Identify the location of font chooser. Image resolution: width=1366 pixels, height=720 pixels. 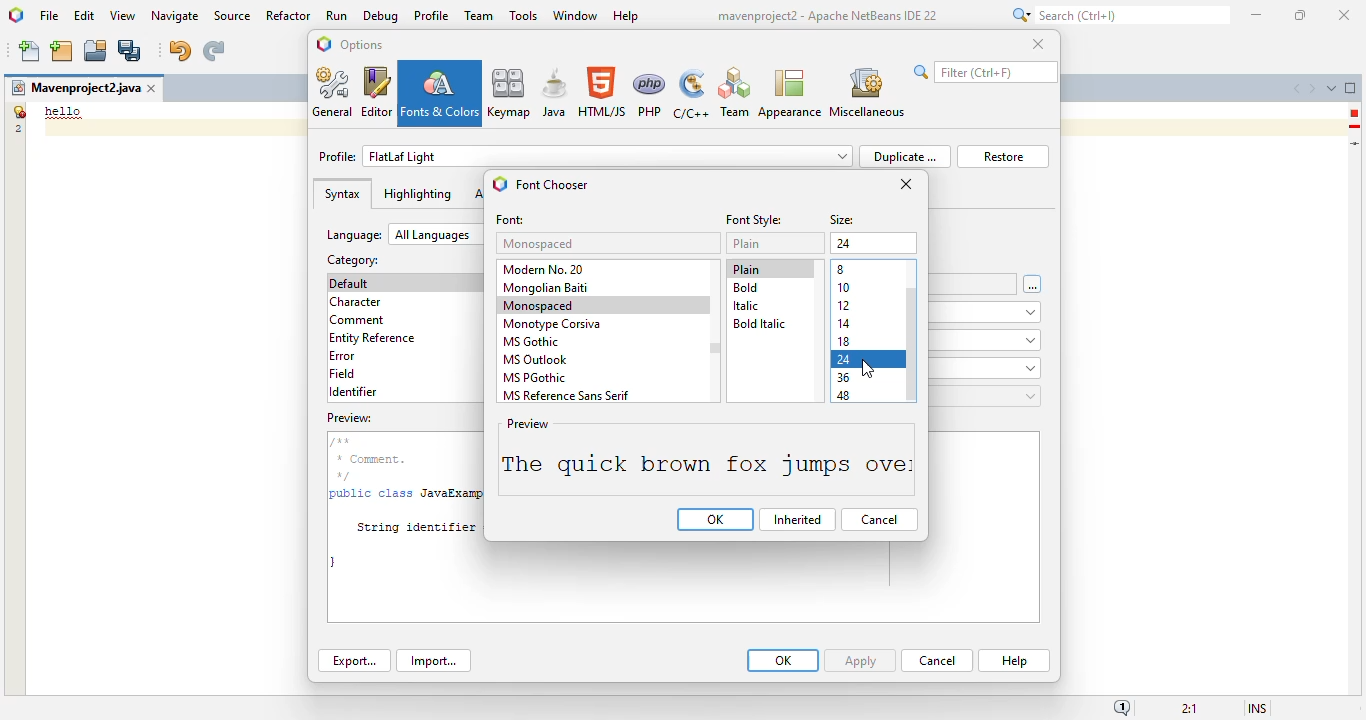
(553, 185).